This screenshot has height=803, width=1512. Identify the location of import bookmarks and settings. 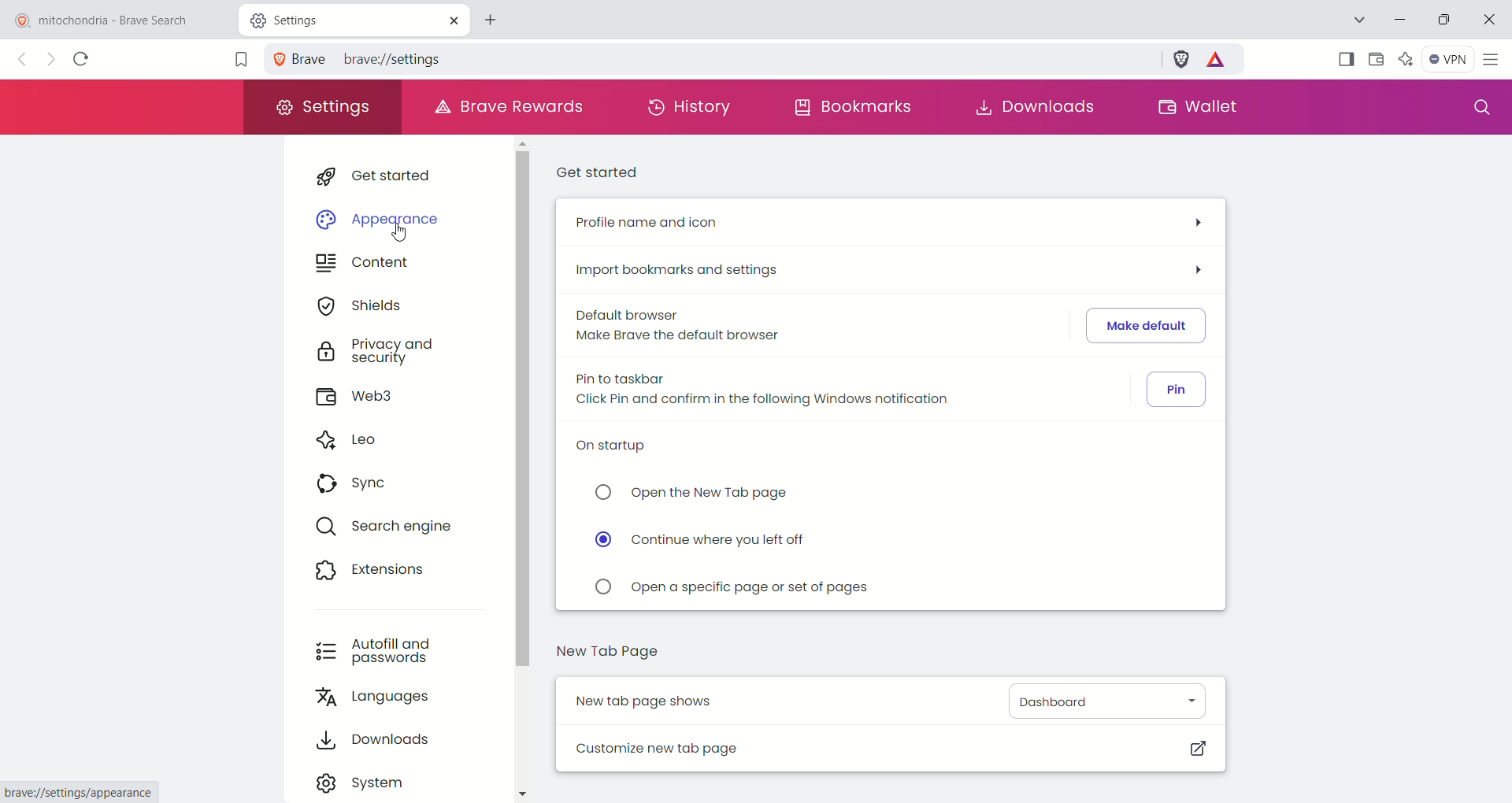
(895, 268).